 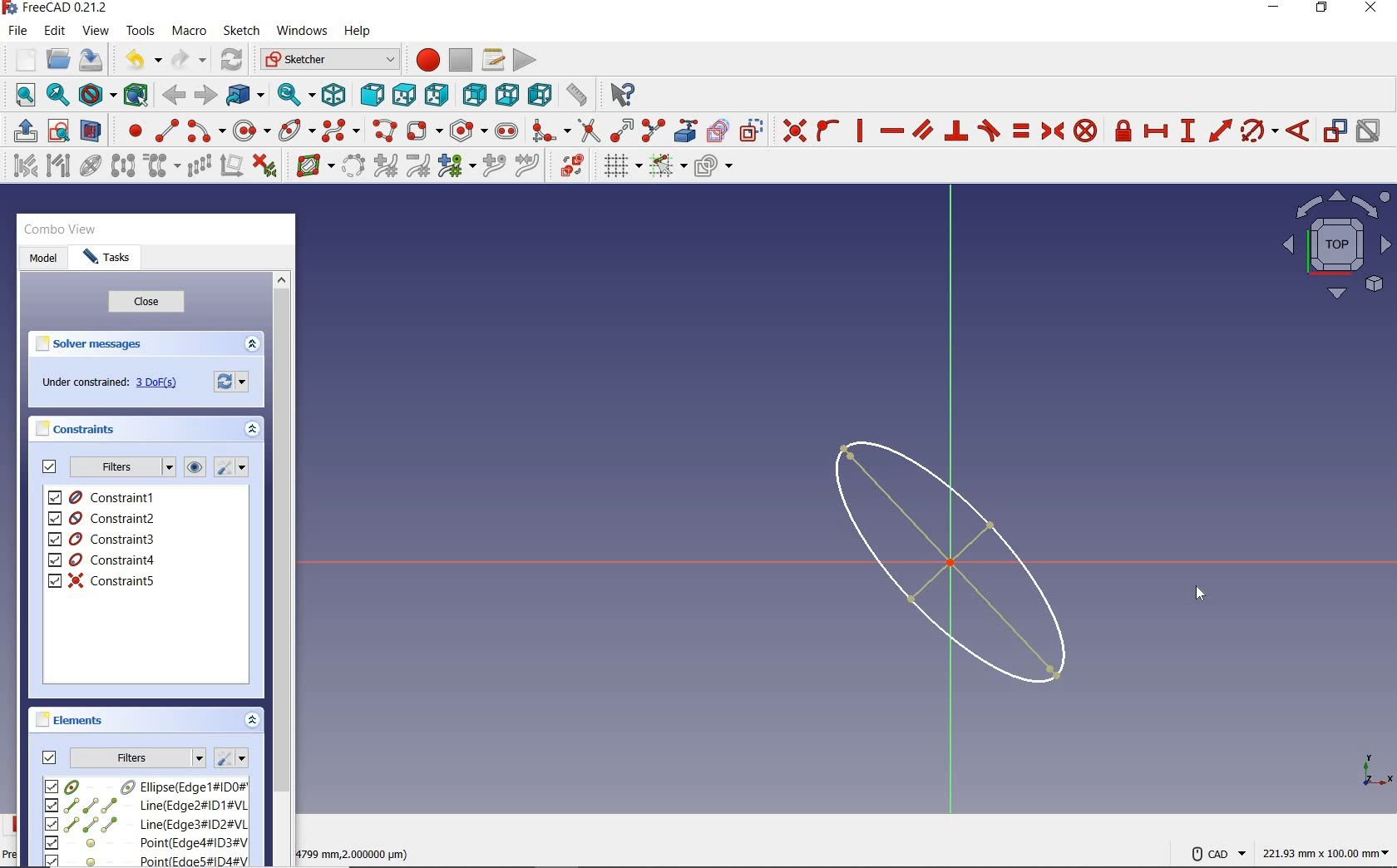 What do you see at coordinates (147, 860) in the screenshot?
I see `element5` at bounding box center [147, 860].